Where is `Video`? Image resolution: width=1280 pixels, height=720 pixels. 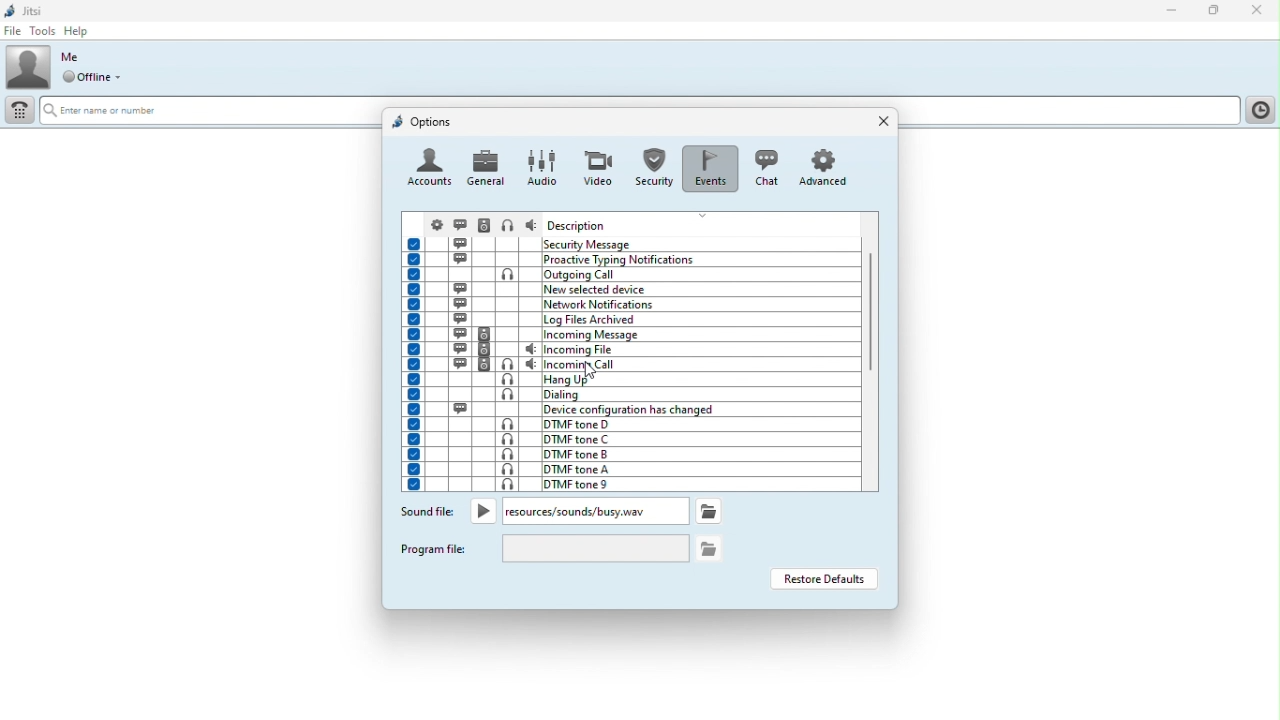
Video is located at coordinates (596, 162).